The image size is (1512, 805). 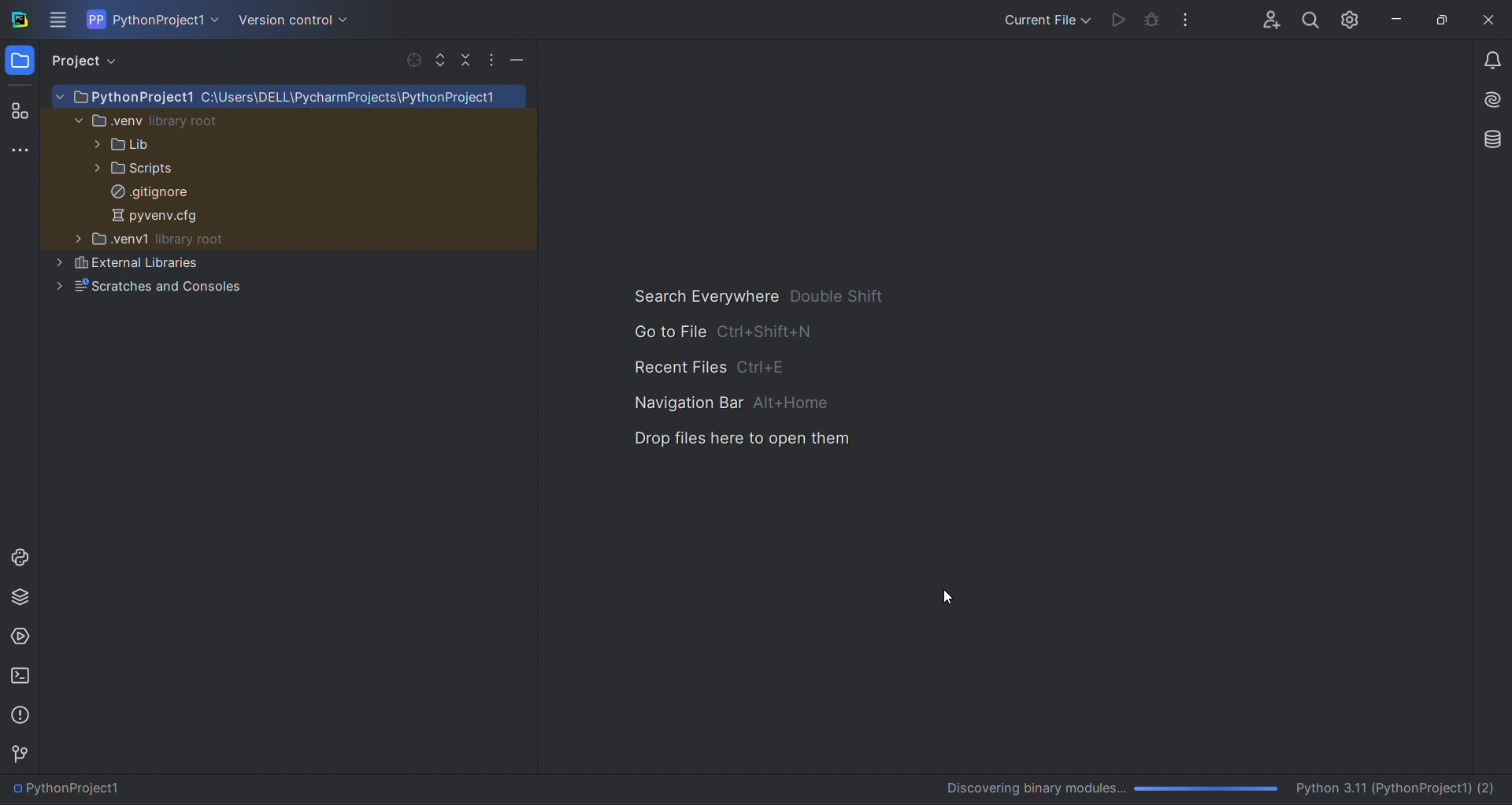 I want to click on settings, so click(x=1352, y=17).